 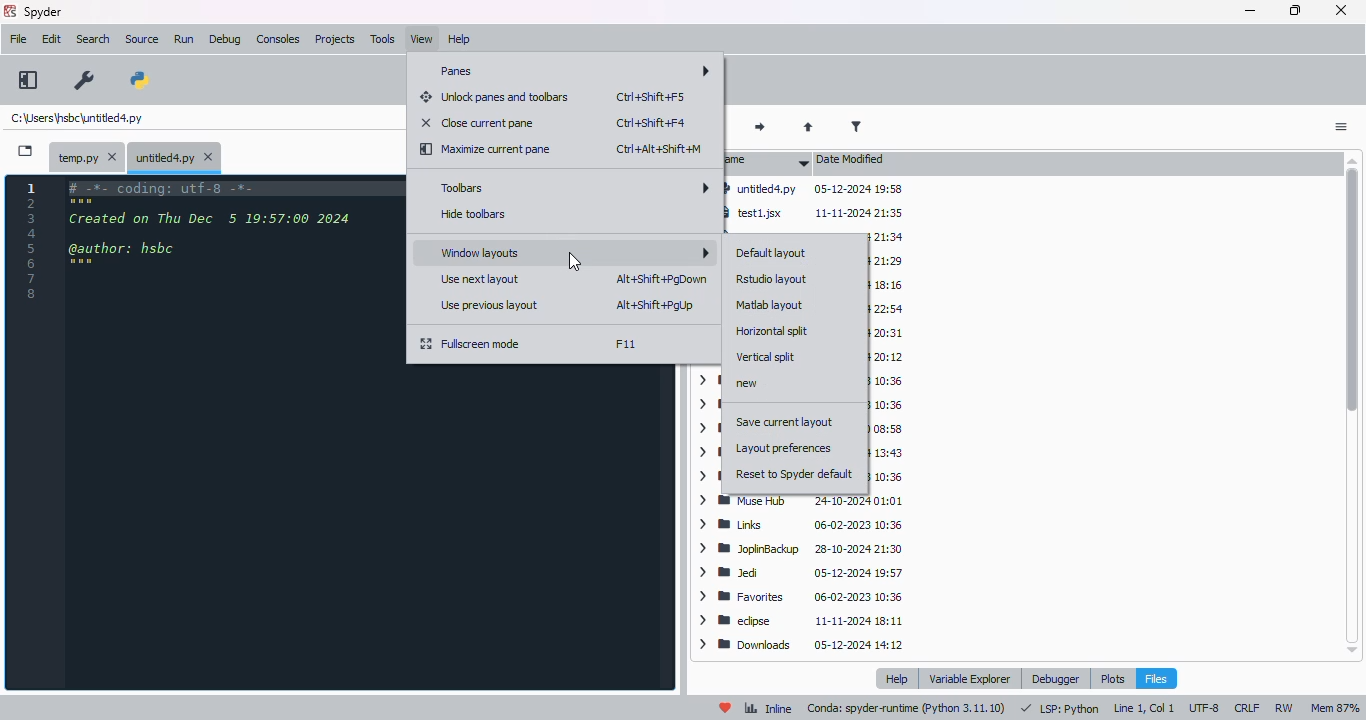 What do you see at coordinates (889, 405) in the screenshot?
I see `Saved Games` at bounding box center [889, 405].